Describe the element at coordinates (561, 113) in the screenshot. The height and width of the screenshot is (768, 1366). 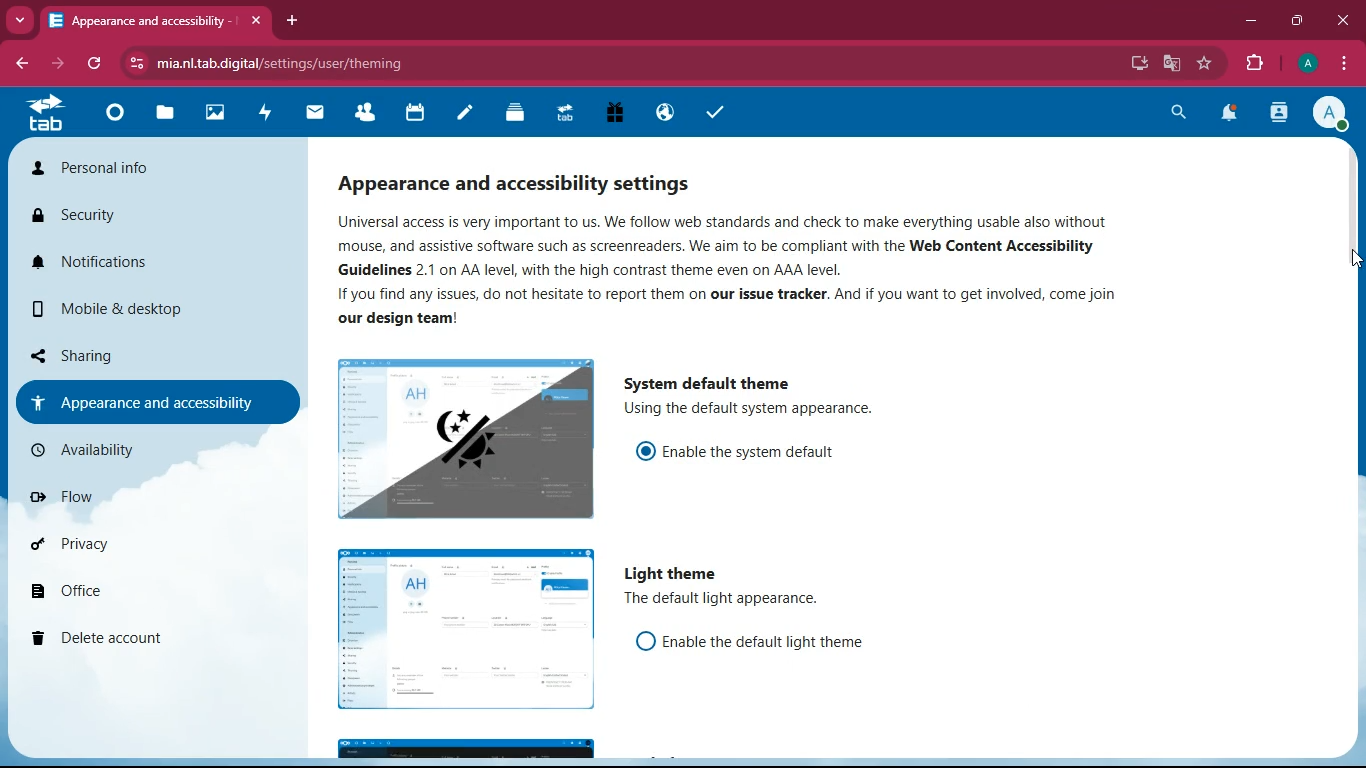
I see `tab` at that location.